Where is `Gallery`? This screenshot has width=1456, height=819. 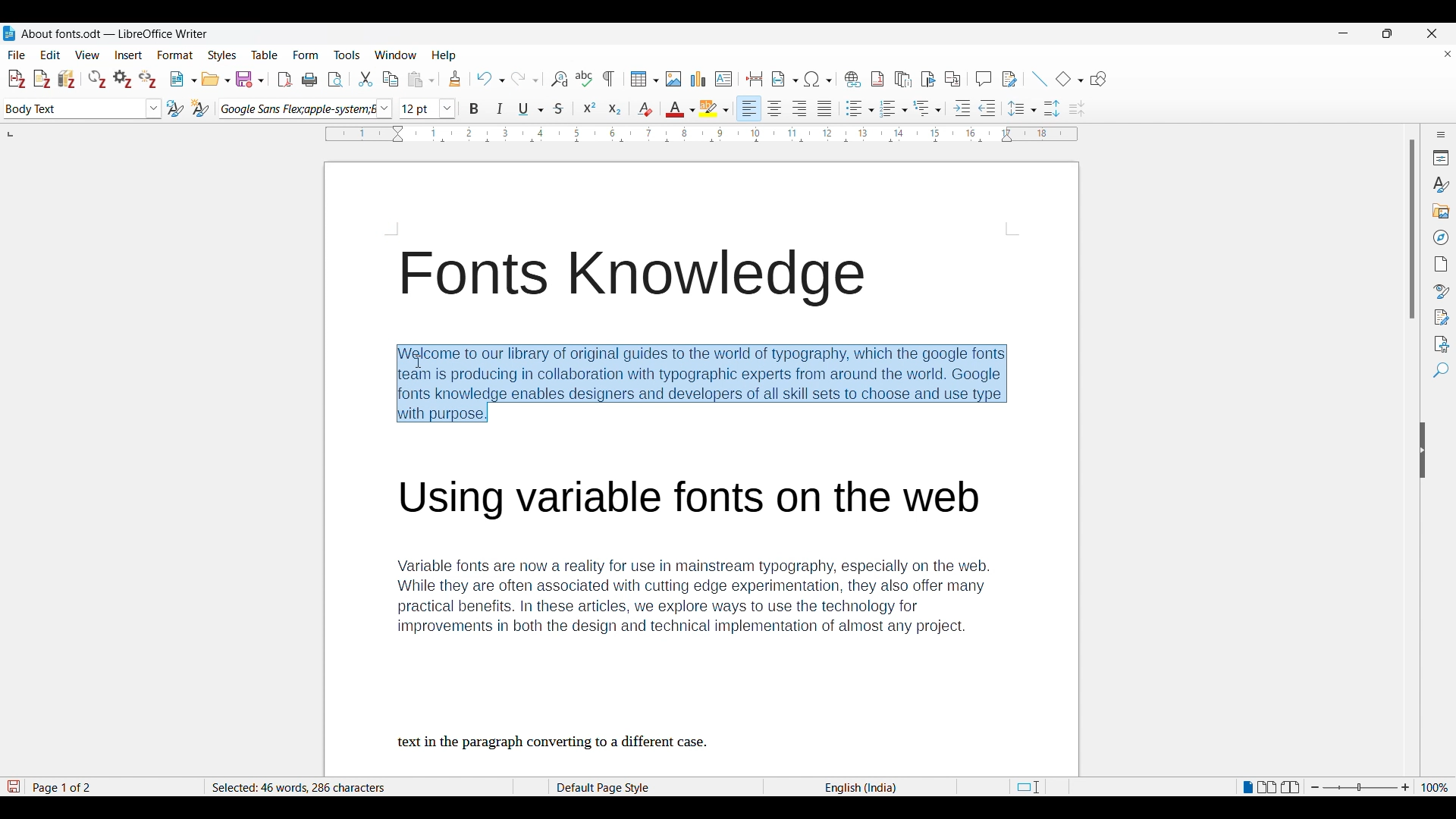
Gallery is located at coordinates (1442, 212).